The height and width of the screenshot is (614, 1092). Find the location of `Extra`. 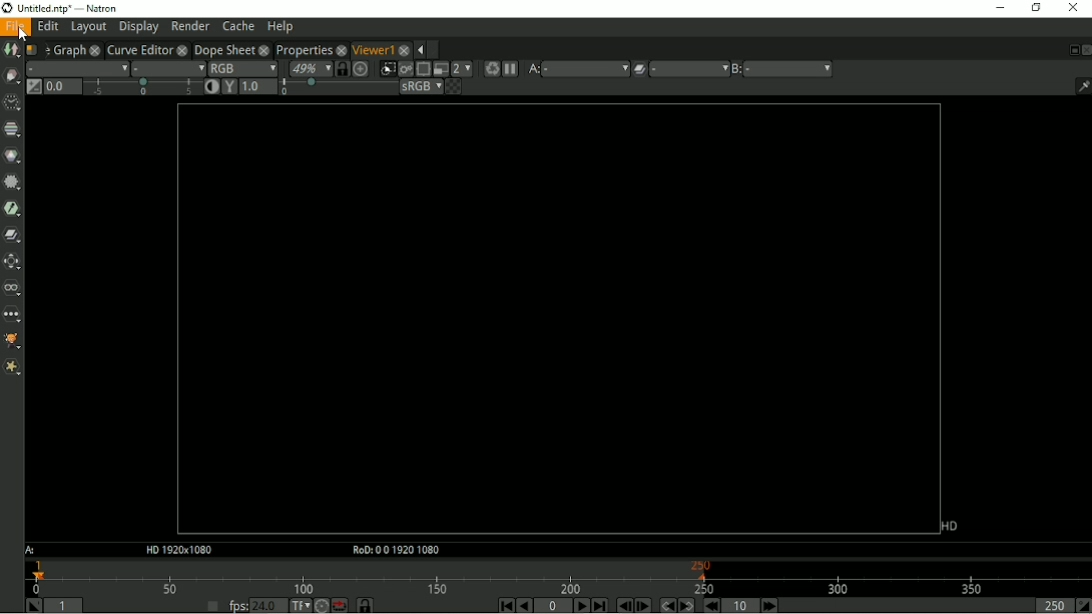

Extra is located at coordinates (12, 367).